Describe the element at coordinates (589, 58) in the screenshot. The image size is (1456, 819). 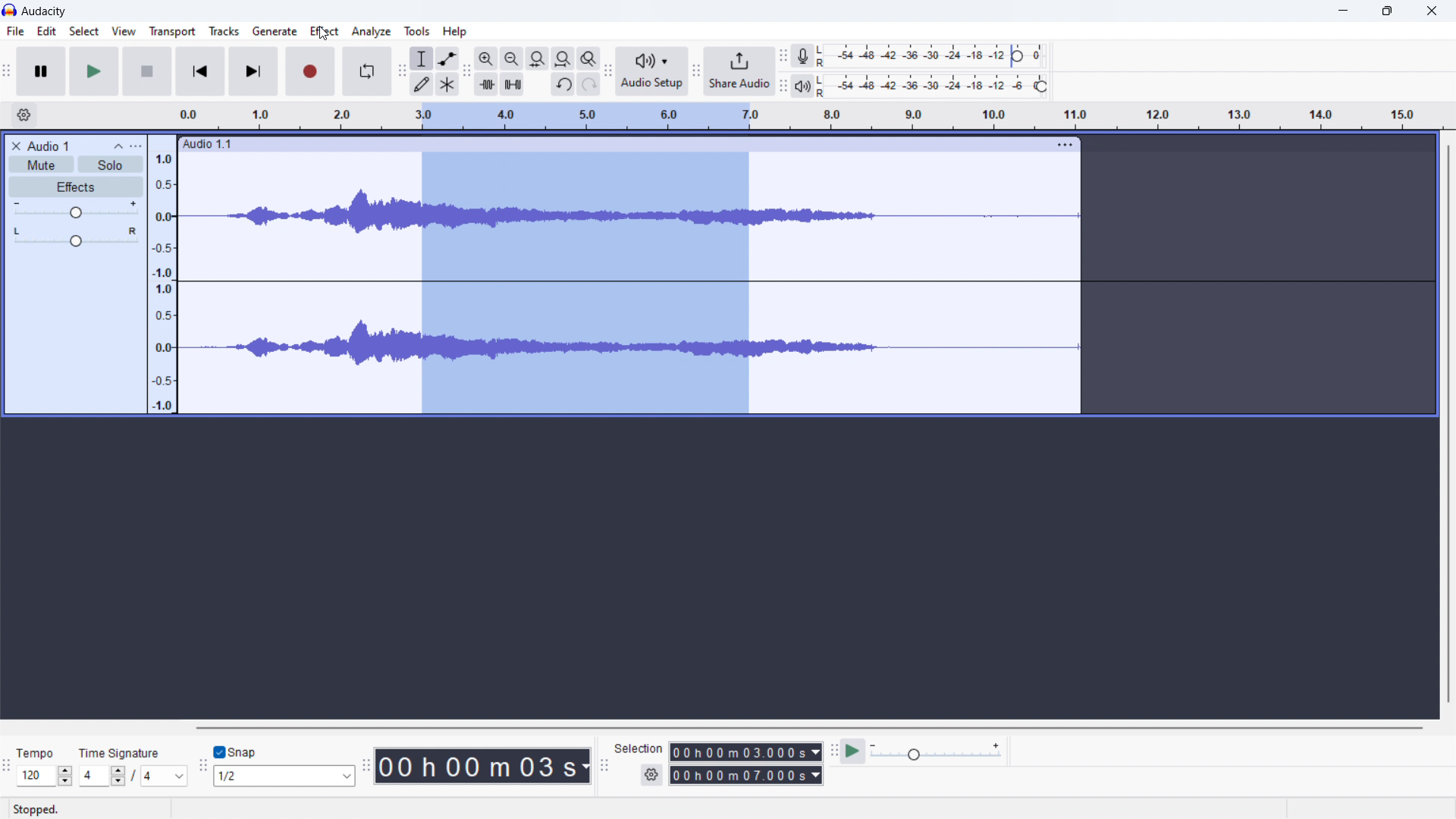
I see `zoom toggle` at that location.